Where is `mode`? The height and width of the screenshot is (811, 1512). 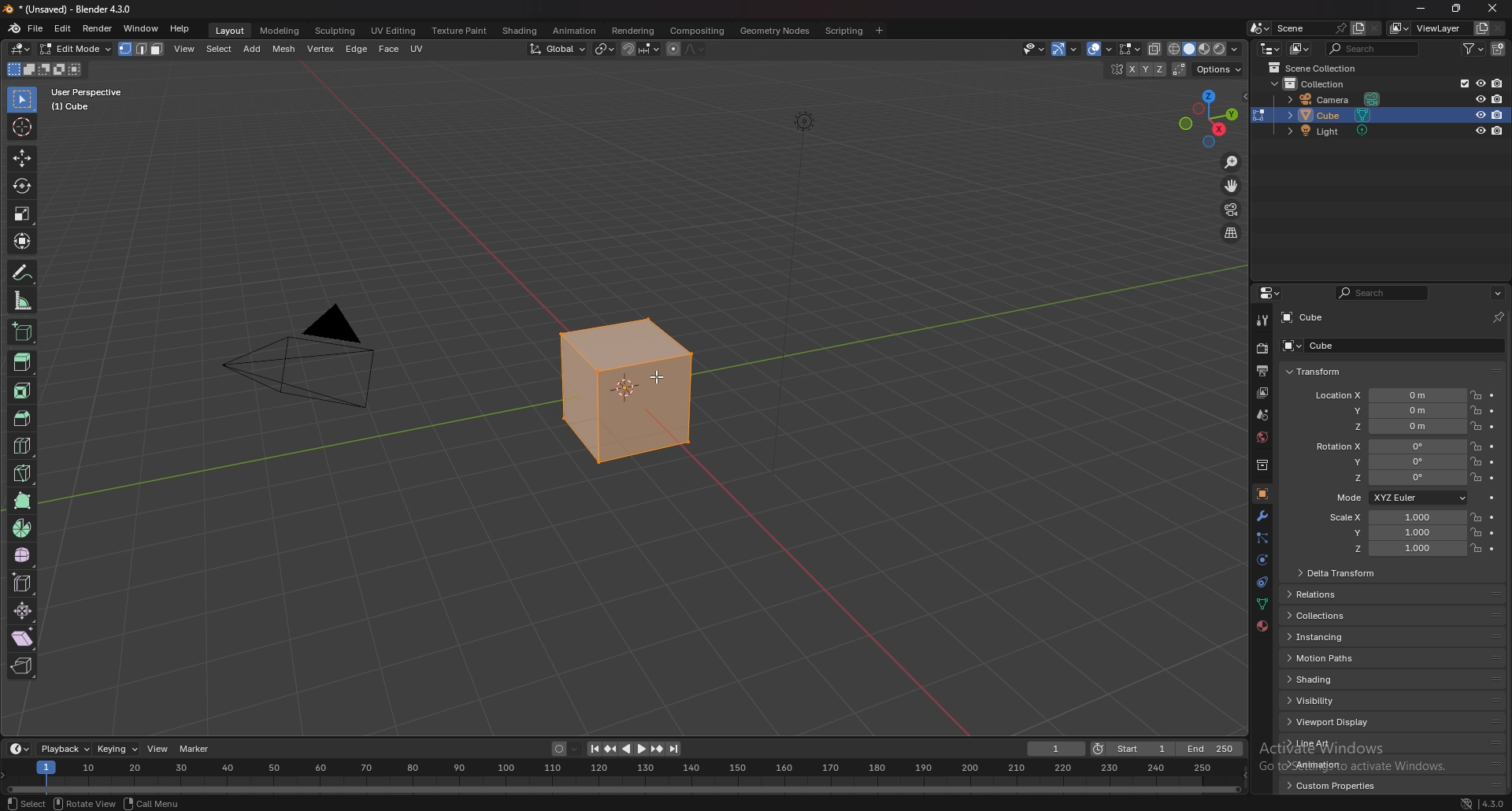 mode is located at coordinates (1398, 498).